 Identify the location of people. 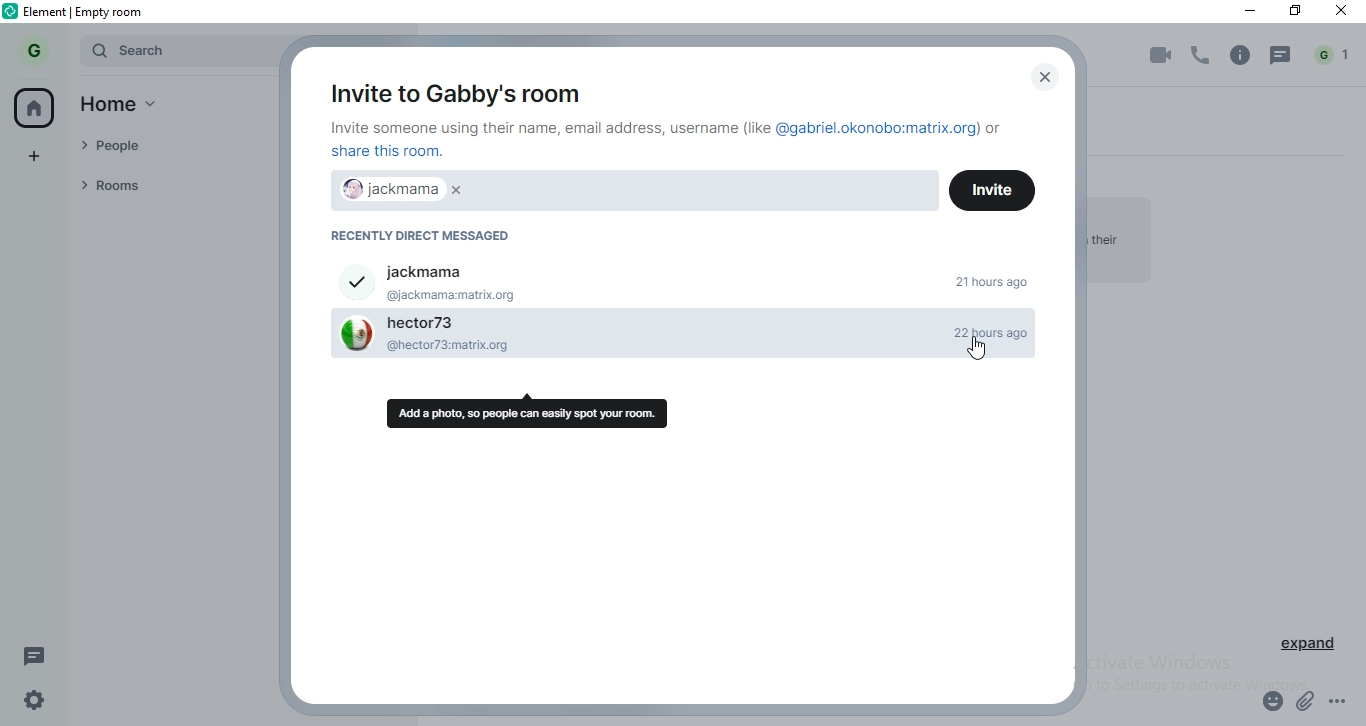
(163, 148).